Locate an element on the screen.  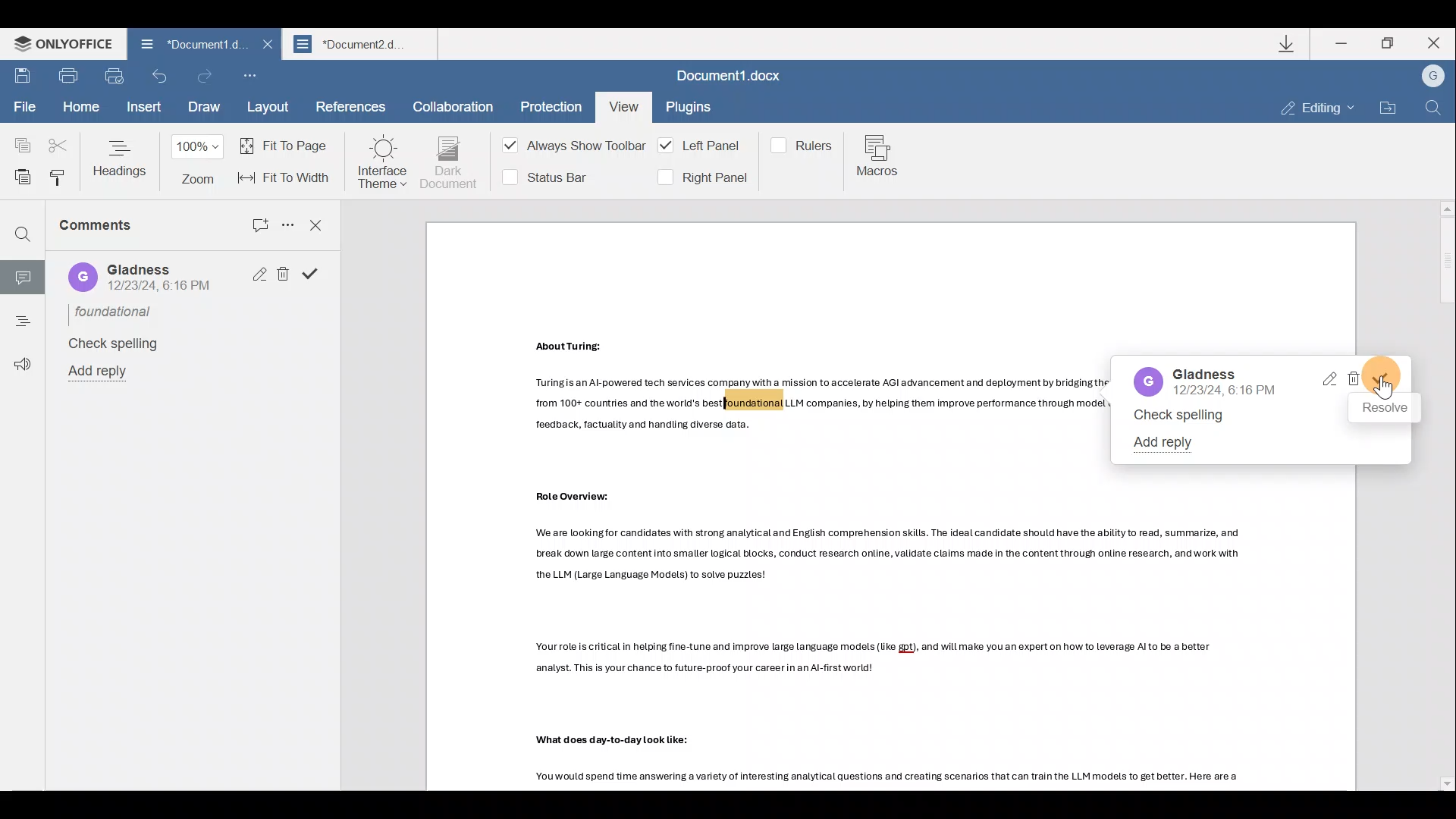
Account name is located at coordinates (1432, 77).